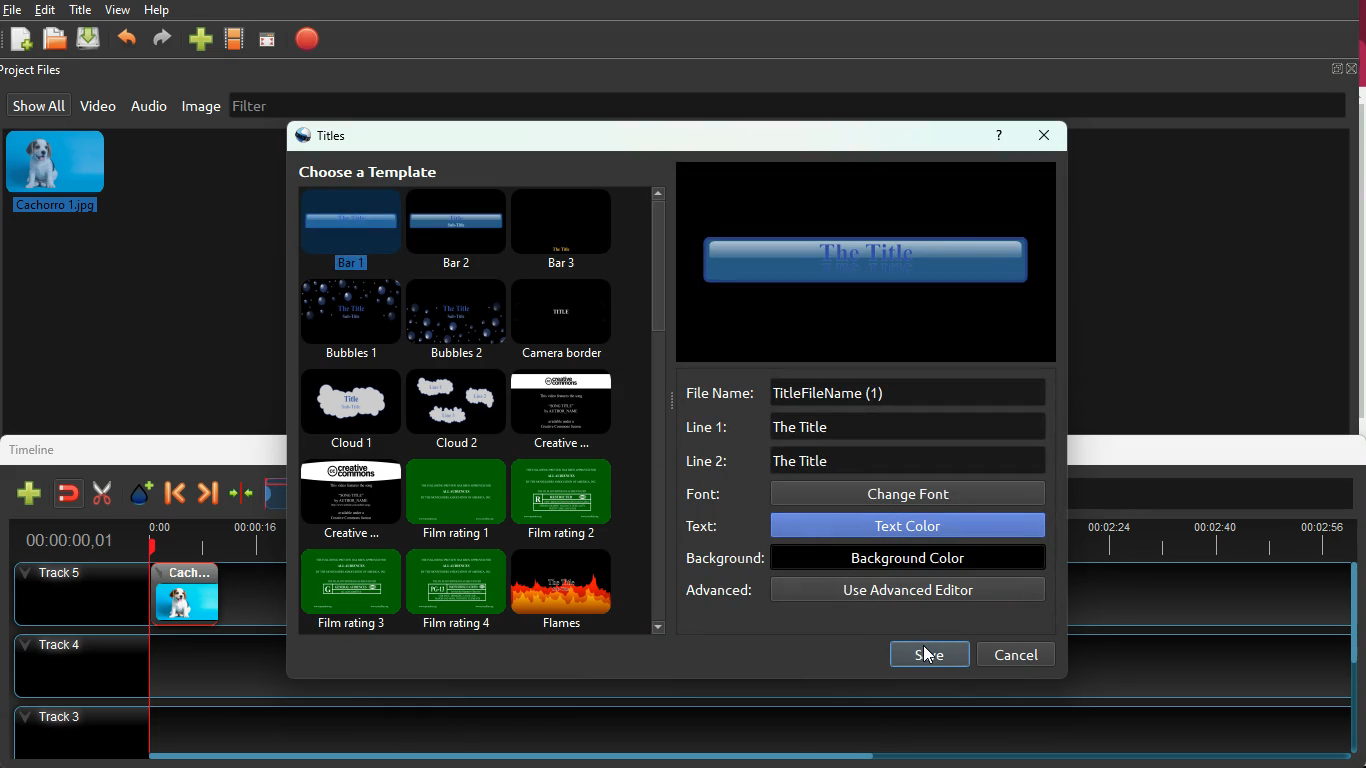 This screenshot has width=1366, height=768. Describe the element at coordinates (236, 40) in the screenshot. I see `video` at that location.